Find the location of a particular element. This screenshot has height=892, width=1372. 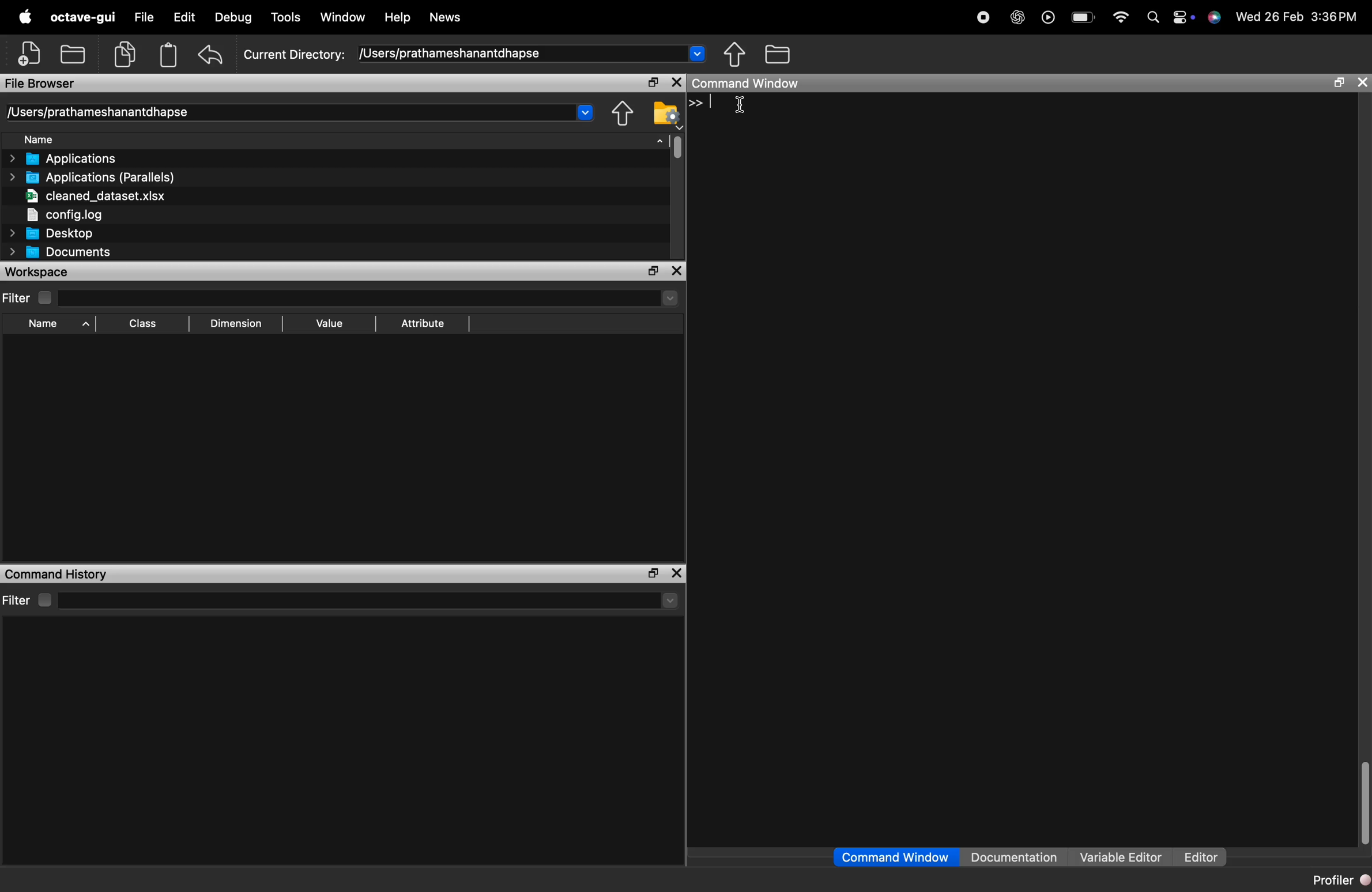

Edit is located at coordinates (184, 17).